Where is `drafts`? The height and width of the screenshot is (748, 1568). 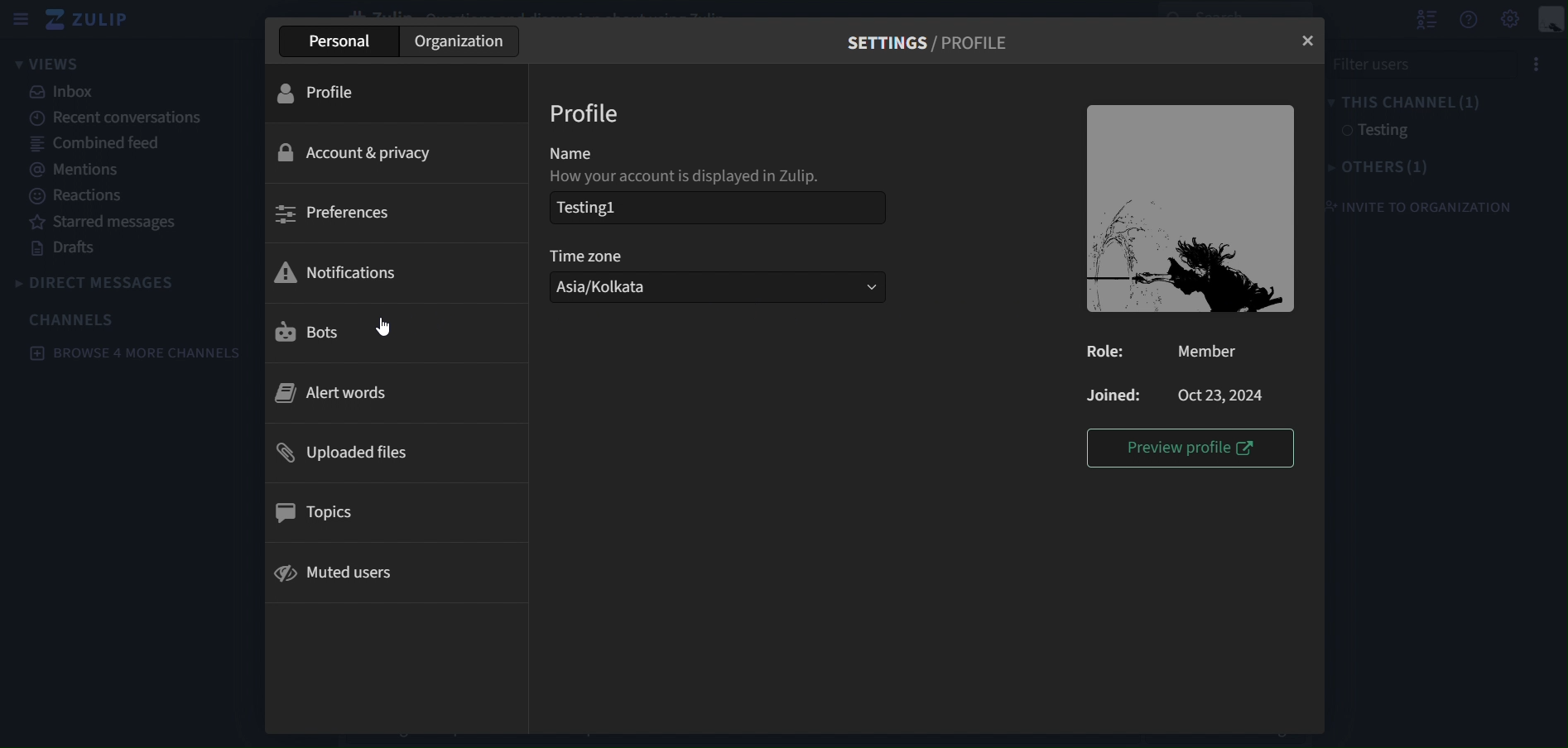 drafts is located at coordinates (68, 251).